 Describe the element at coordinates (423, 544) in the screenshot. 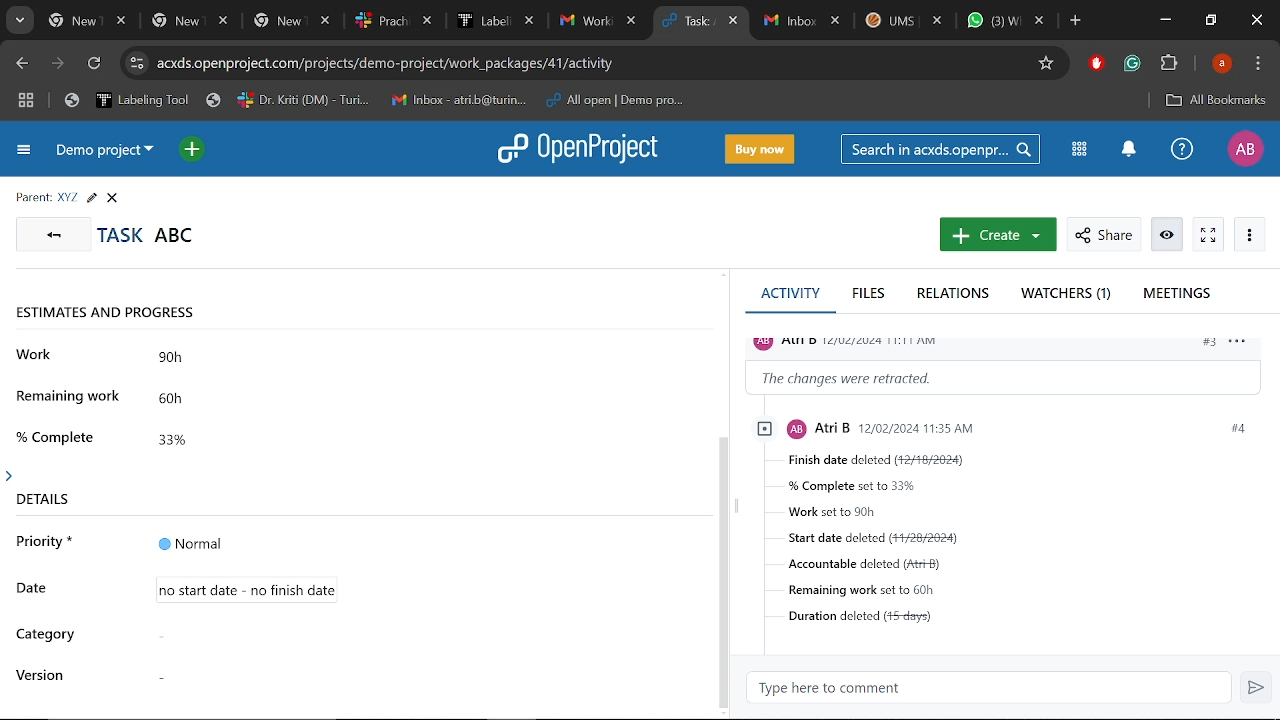

I see `Priority` at that location.